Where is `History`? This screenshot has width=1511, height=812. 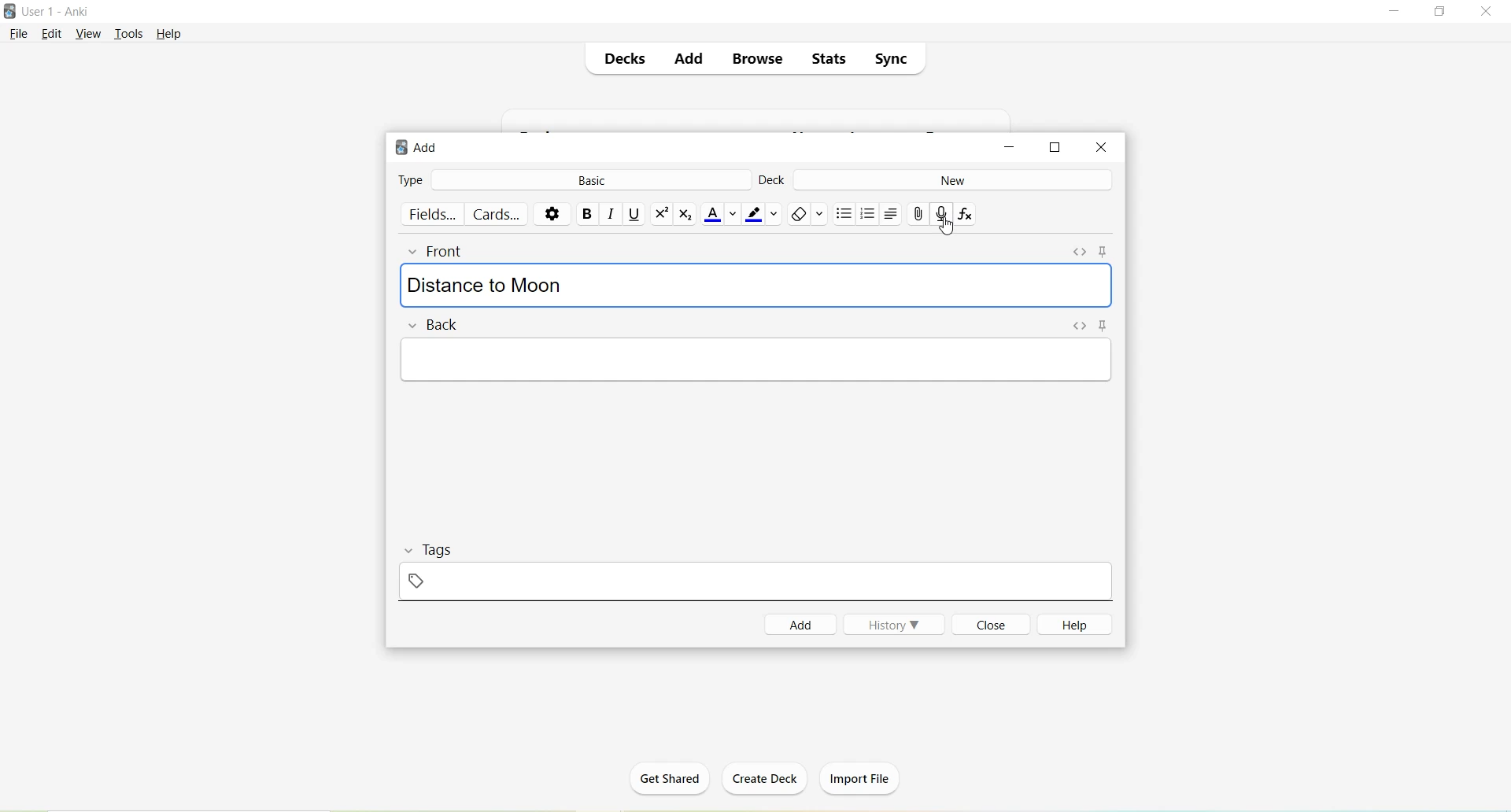
History is located at coordinates (894, 624).